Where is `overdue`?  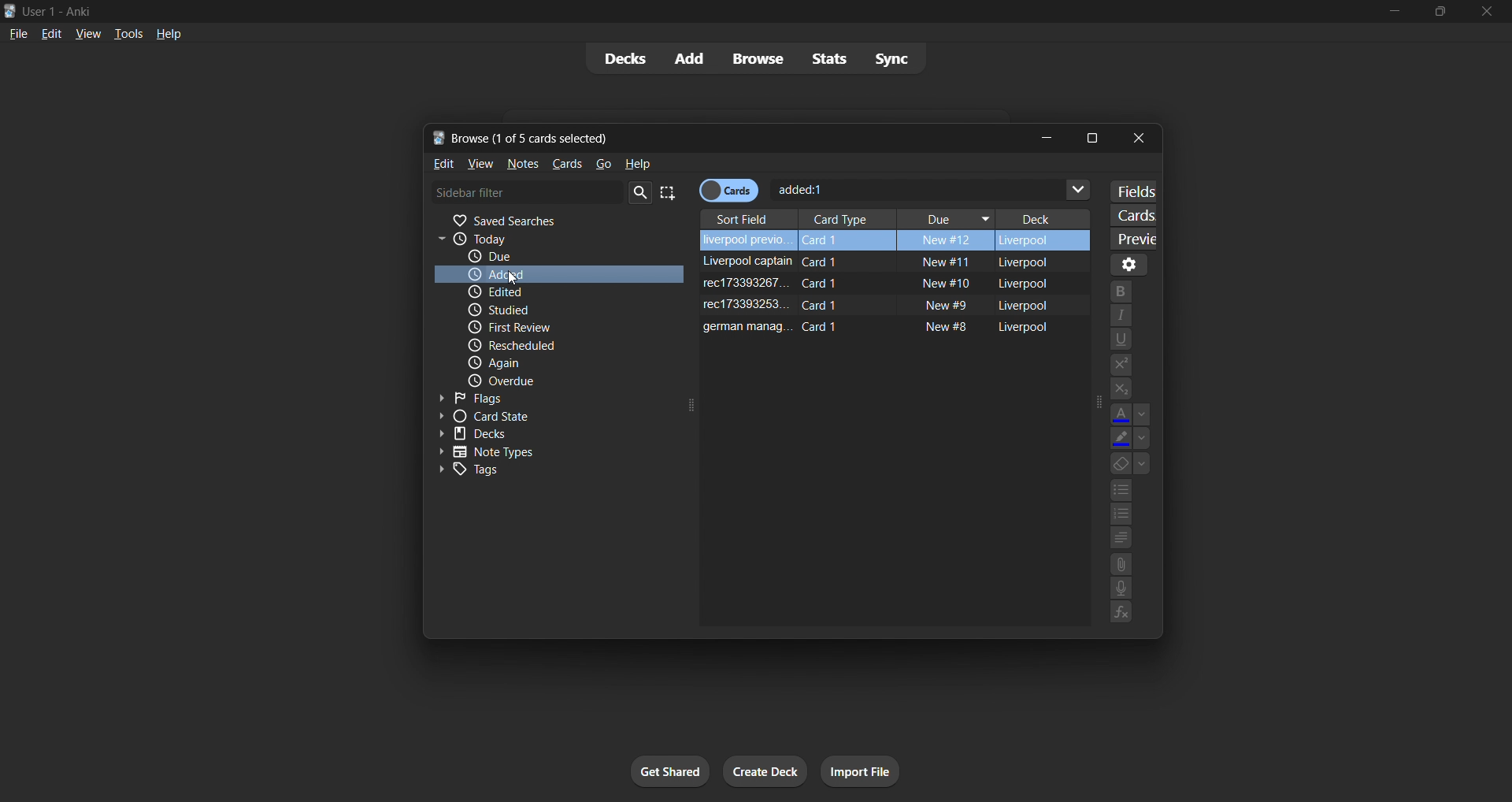 overdue is located at coordinates (558, 380).